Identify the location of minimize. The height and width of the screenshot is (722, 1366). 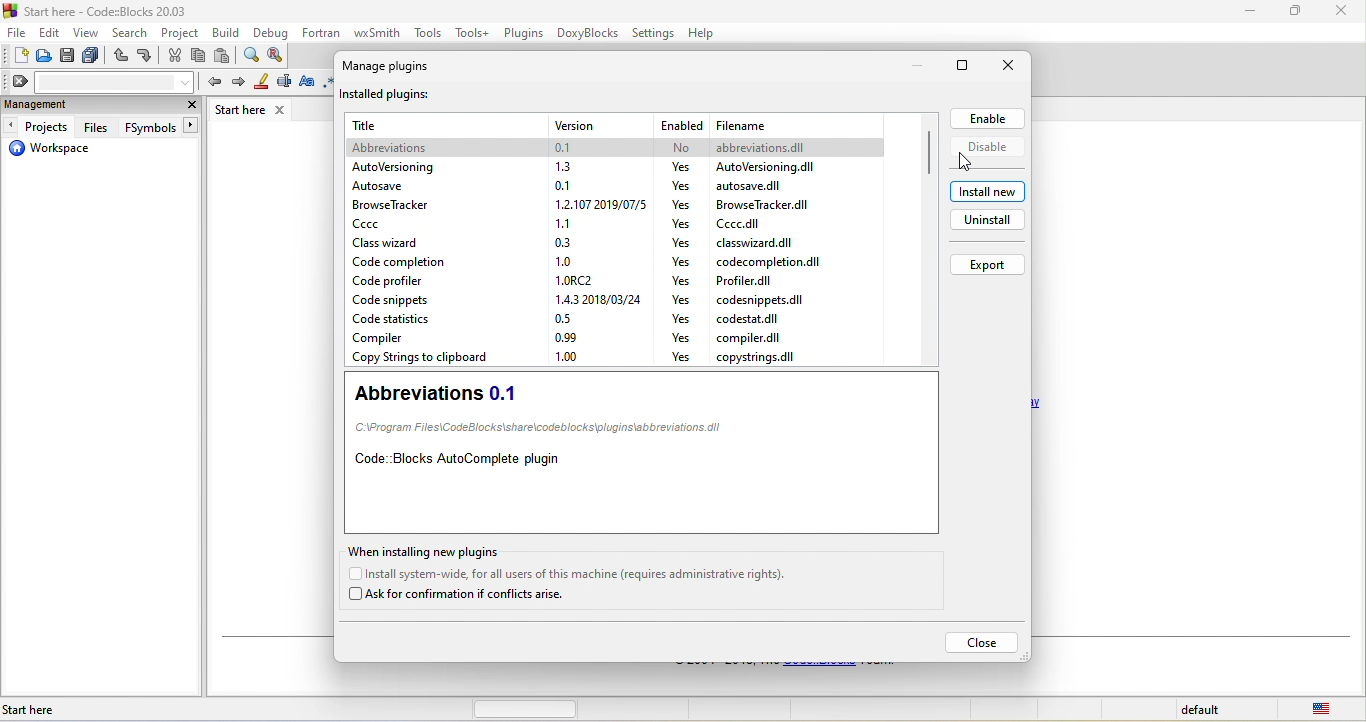
(911, 65).